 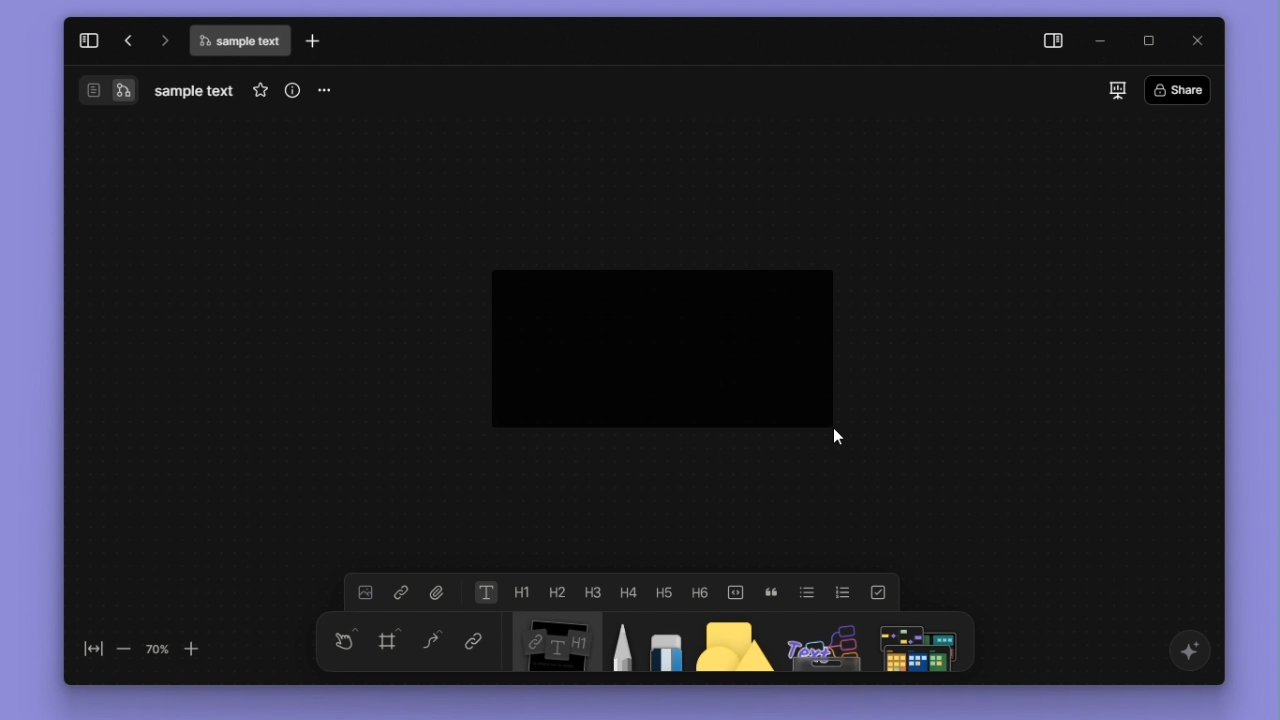 I want to click on new tab, so click(x=317, y=41).